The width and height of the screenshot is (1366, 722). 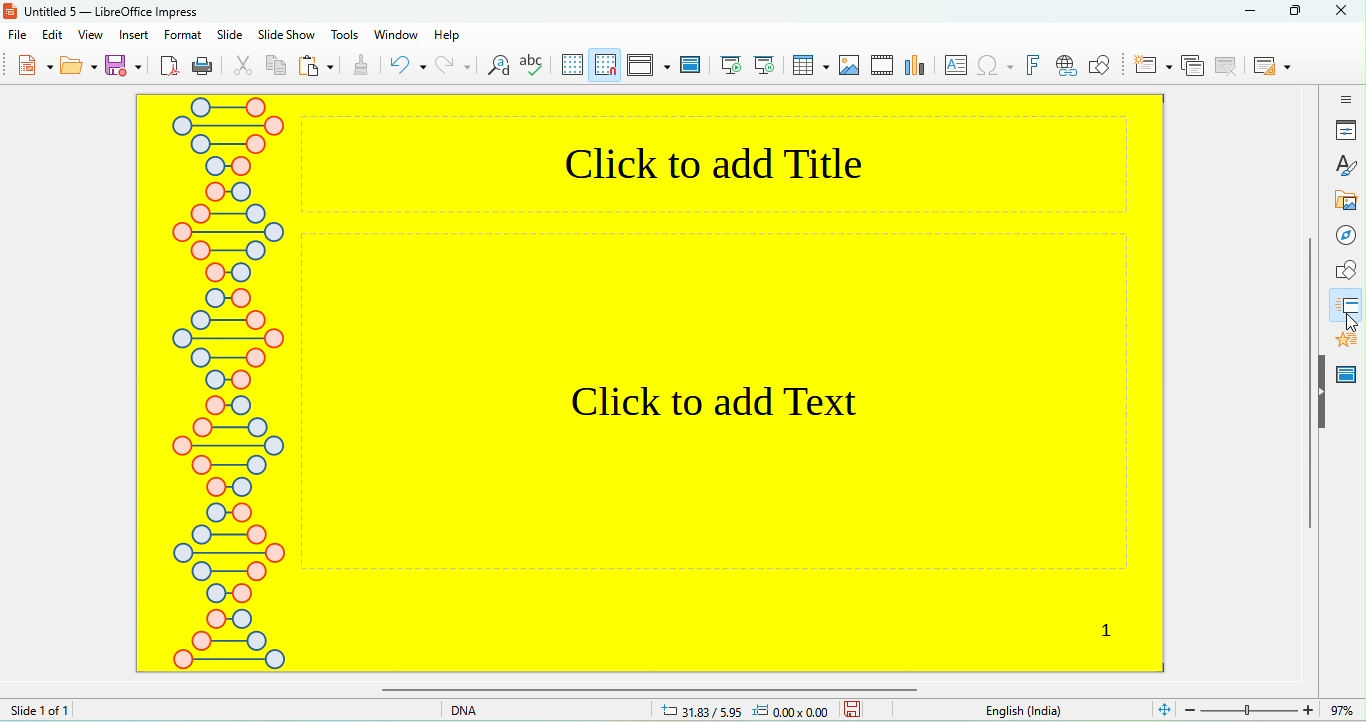 What do you see at coordinates (240, 68) in the screenshot?
I see `cut` at bounding box center [240, 68].